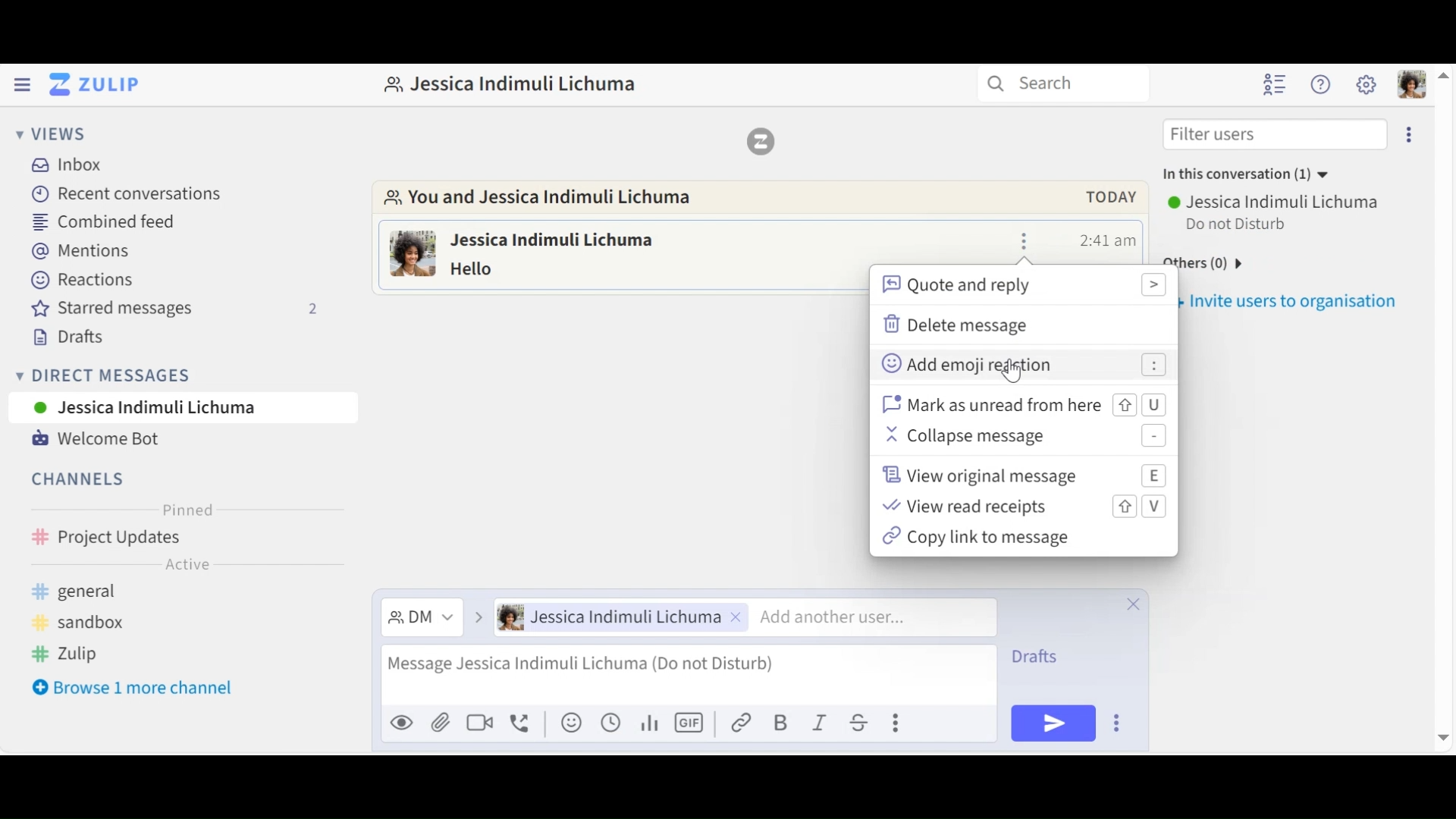 The image size is (1456, 819). I want to click on Status, so click(1239, 225).